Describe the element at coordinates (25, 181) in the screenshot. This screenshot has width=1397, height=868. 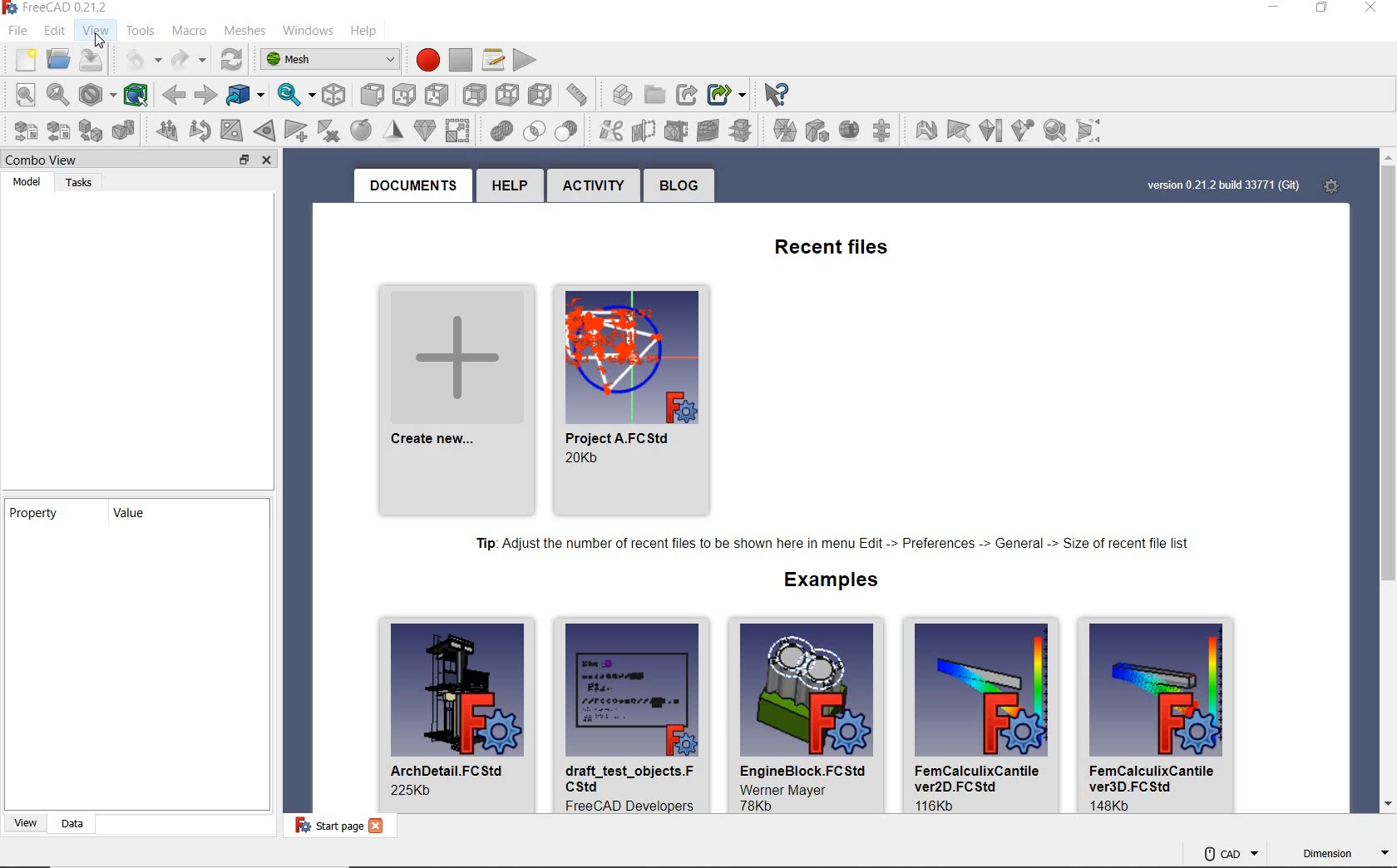
I see `model` at that location.